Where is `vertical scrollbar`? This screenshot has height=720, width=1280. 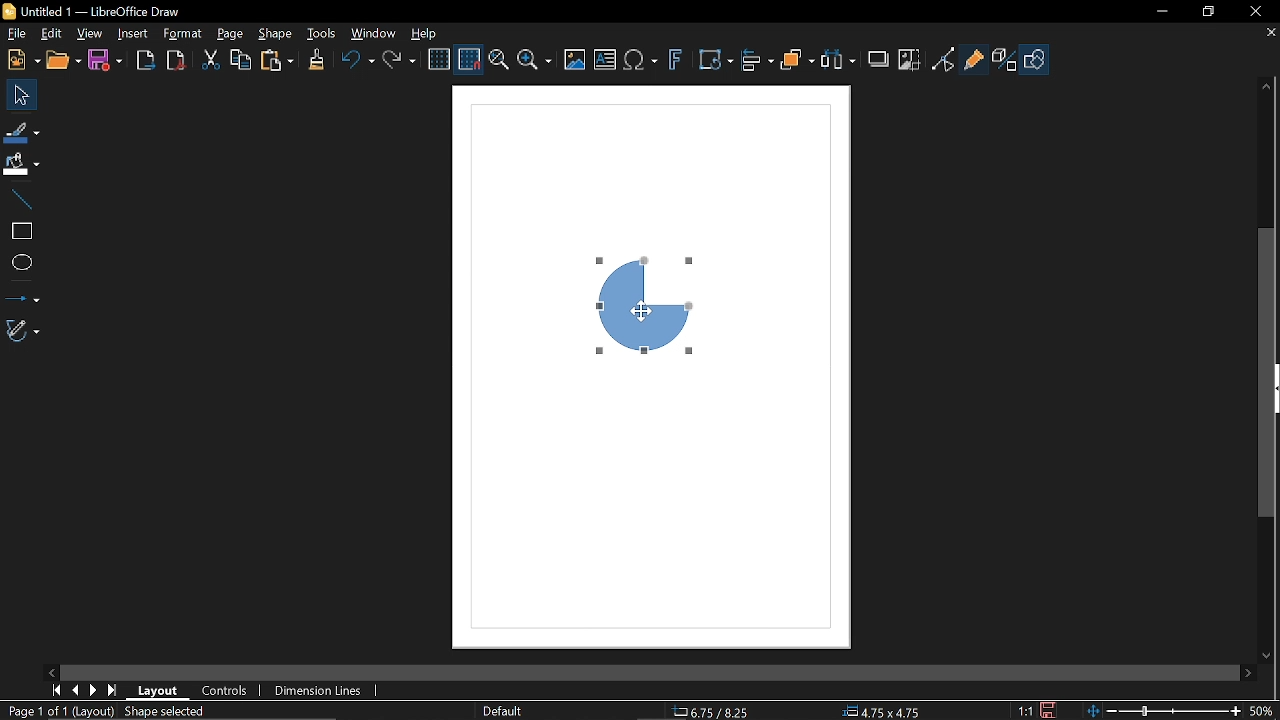 vertical scrollbar is located at coordinates (1268, 374).